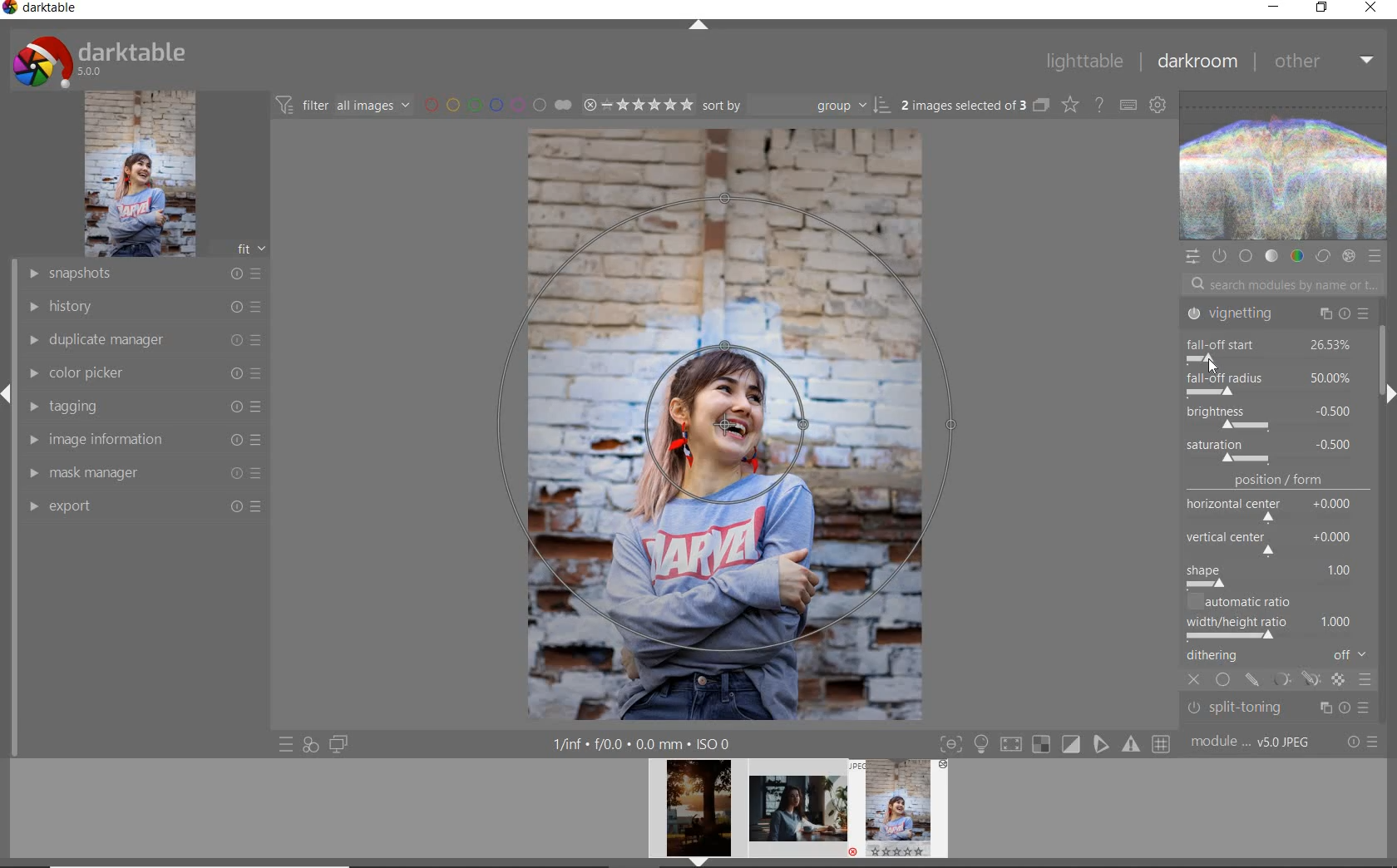  I want to click on frt, so click(250, 246).